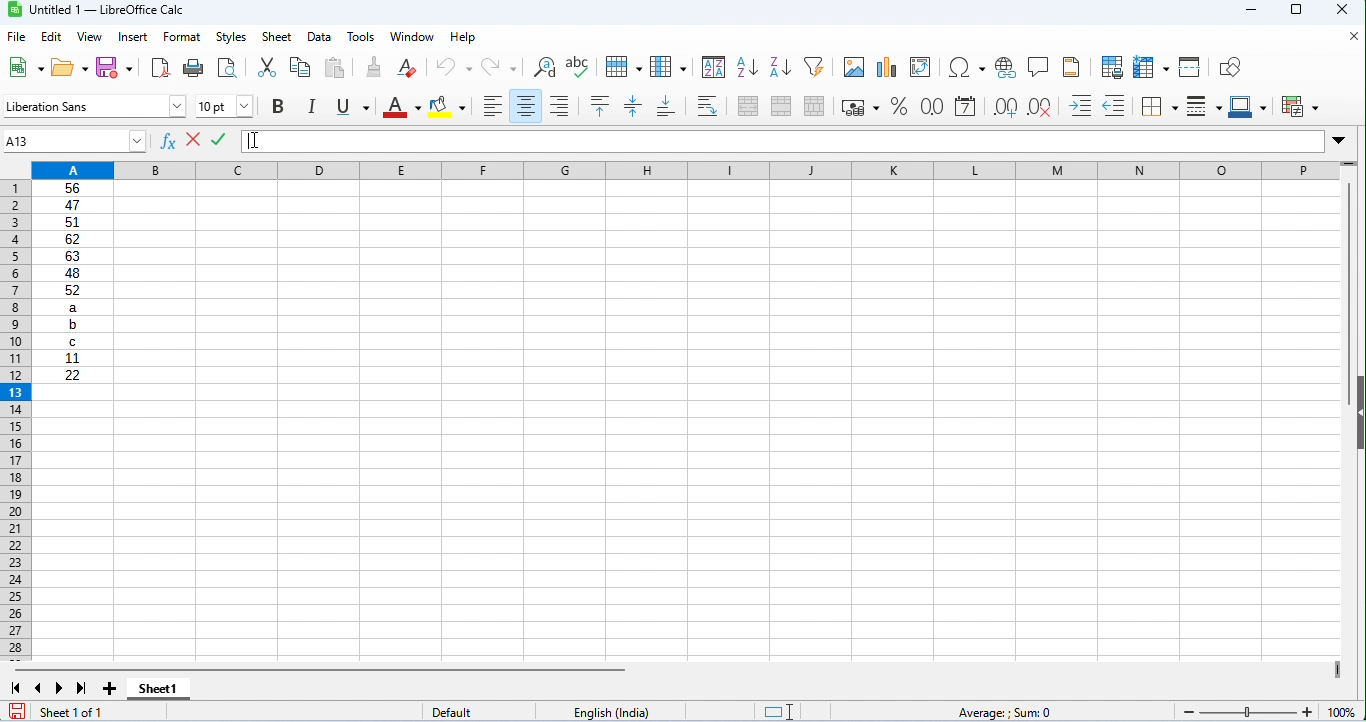  What do you see at coordinates (82, 688) in the screenshot?
I see `last sheet` at bounding box center [82, 688].